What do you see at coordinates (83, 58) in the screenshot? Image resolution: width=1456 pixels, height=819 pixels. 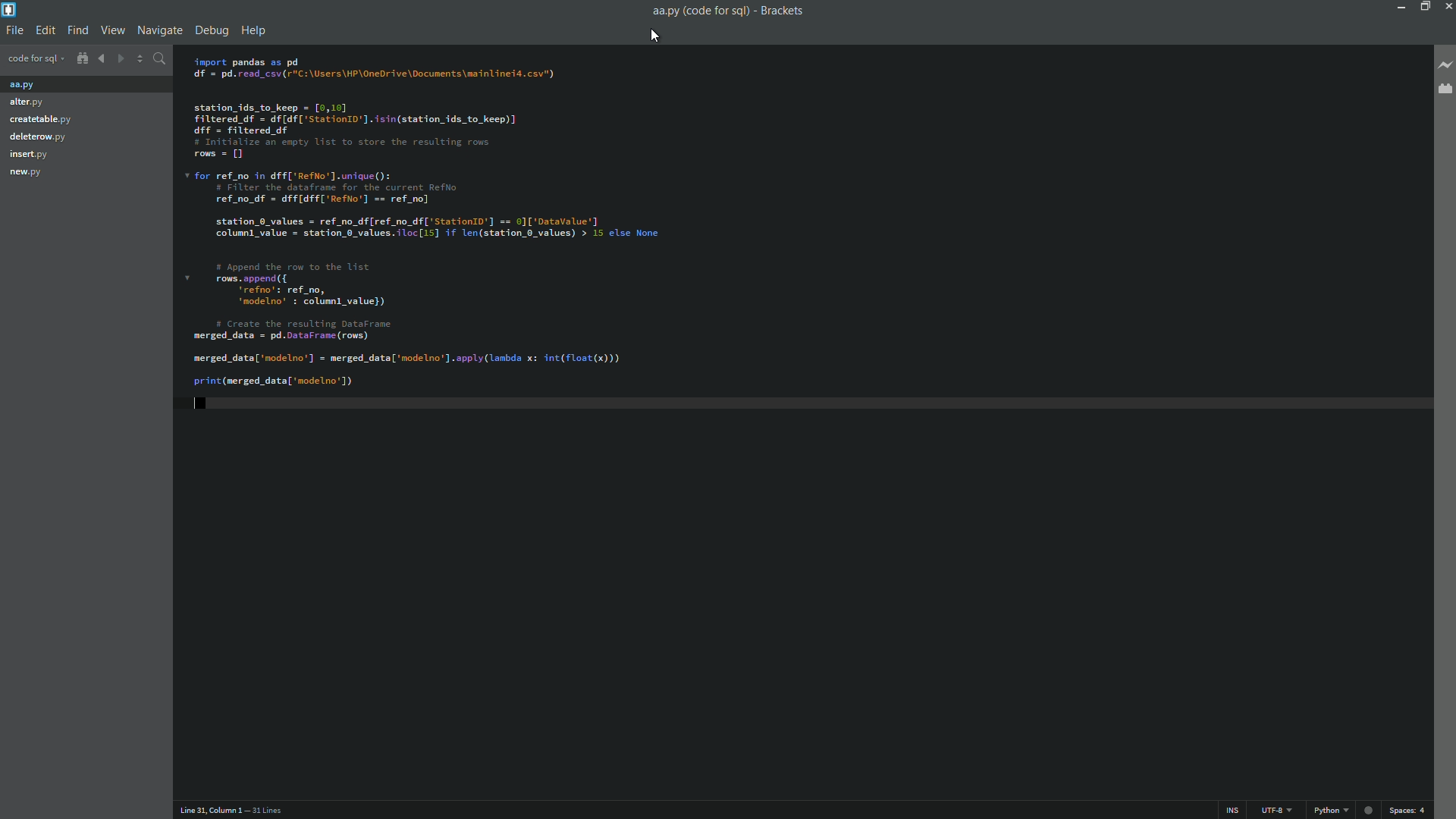 I see `show in file tree` at bounding box center [83, 58].